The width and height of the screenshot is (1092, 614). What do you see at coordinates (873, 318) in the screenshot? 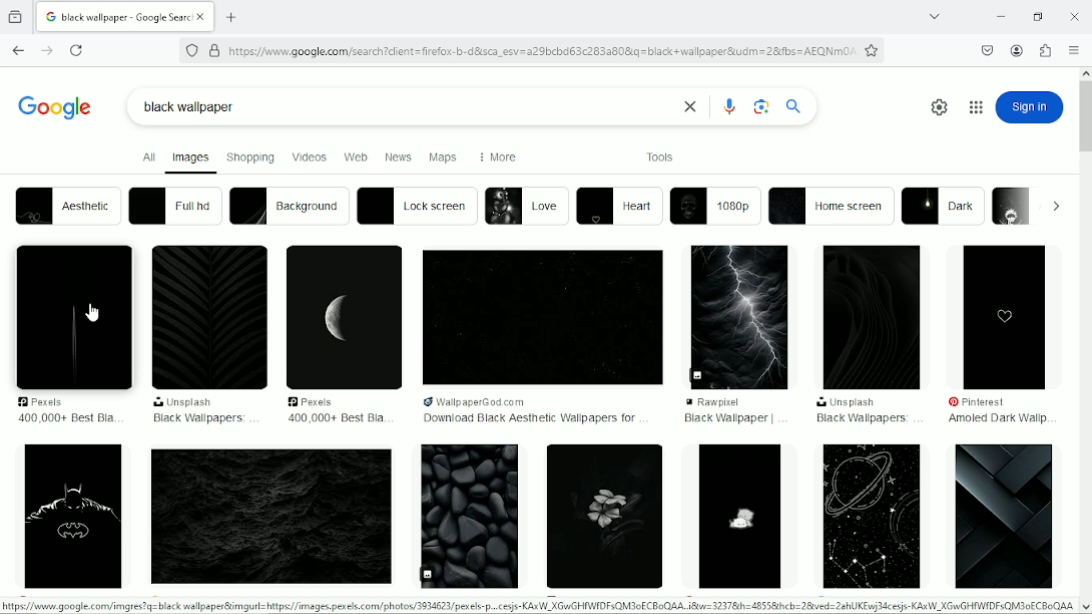
I see `black image` at bounding box center [873, 318].